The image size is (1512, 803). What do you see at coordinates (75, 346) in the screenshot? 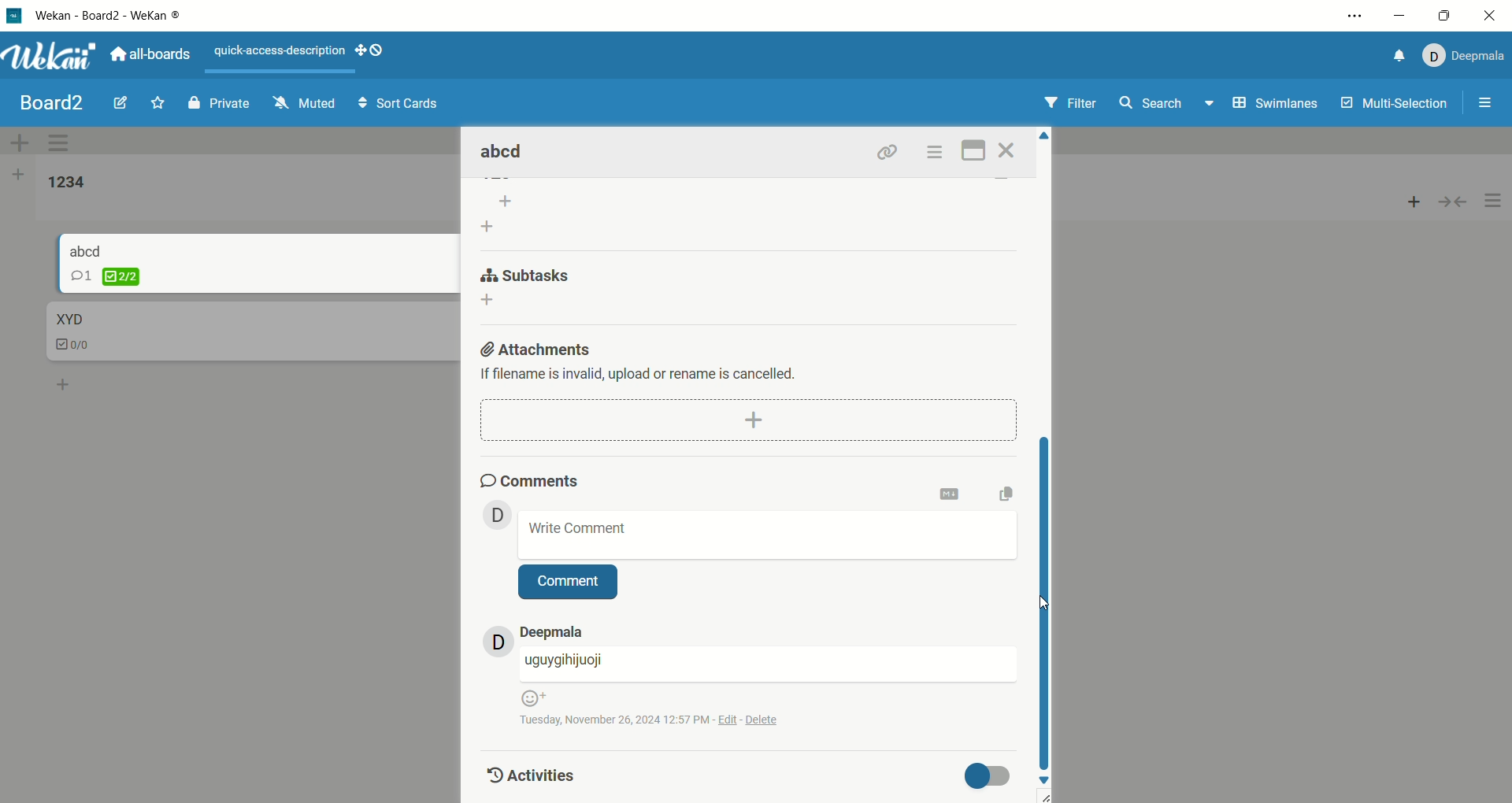
I see `checklist` at bounding box center [75, 346].